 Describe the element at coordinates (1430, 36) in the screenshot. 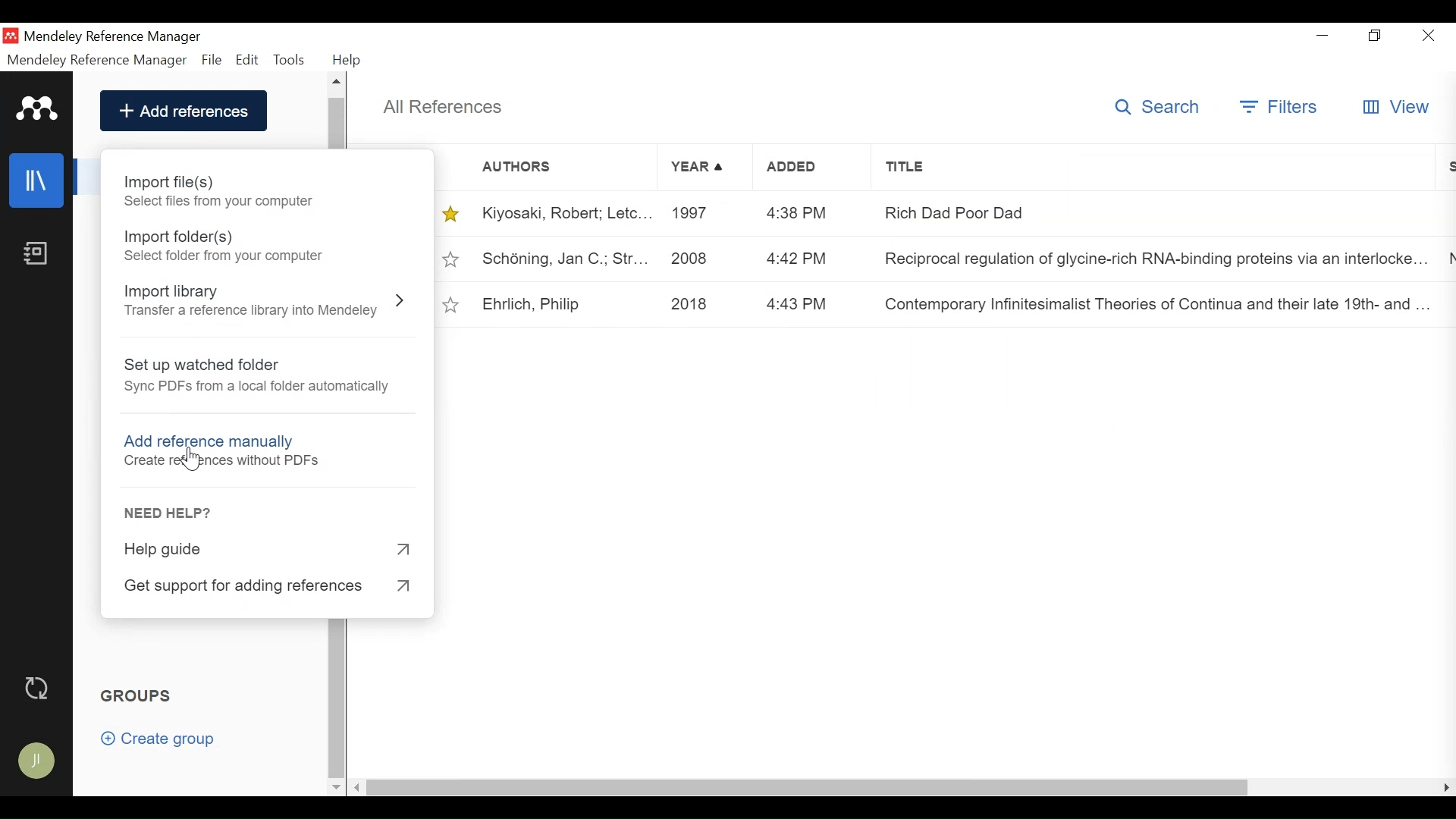

I see `Close` at that location.